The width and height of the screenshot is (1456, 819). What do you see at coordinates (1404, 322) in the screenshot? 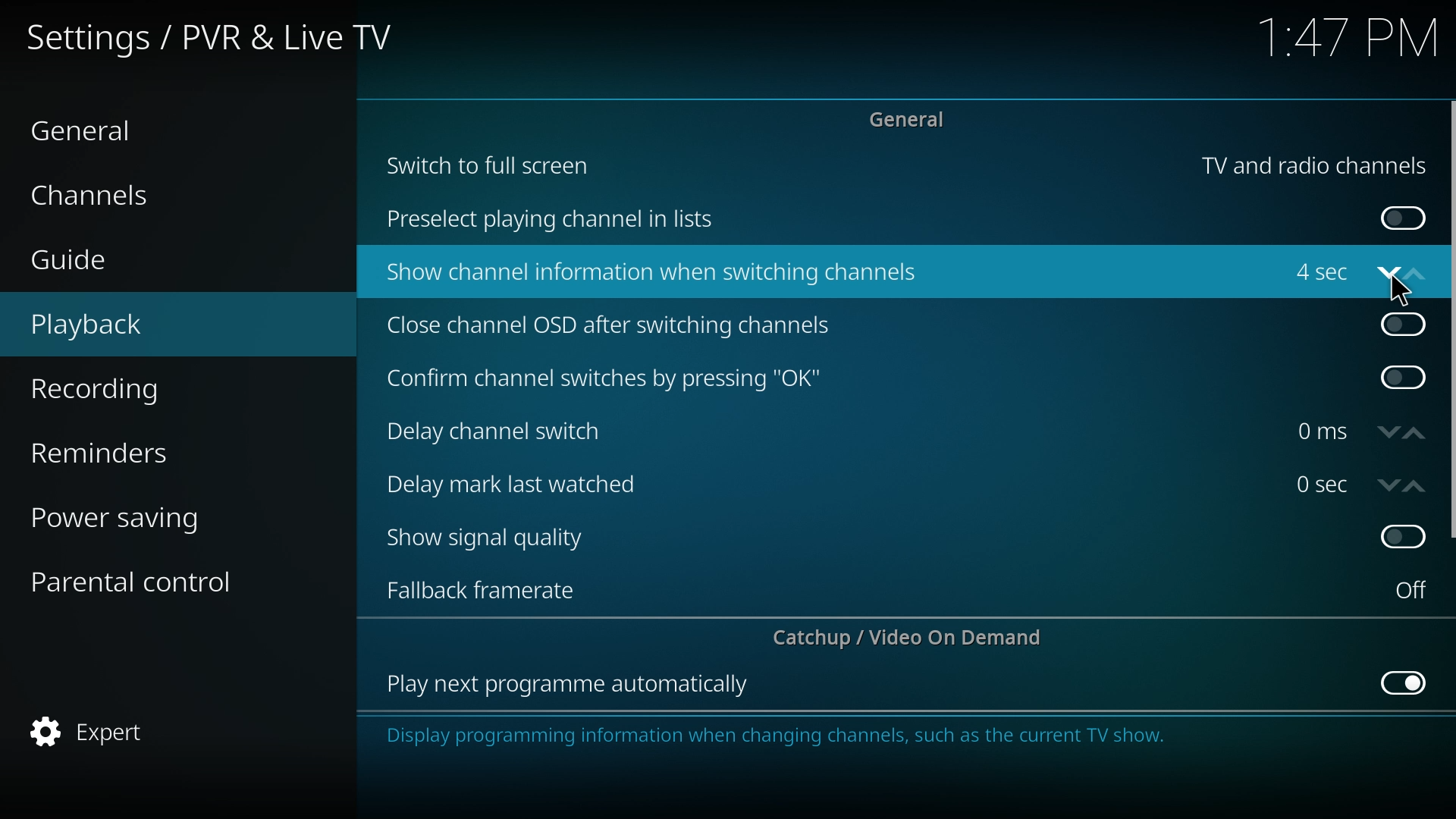
I see `off` at bounding box center [1404, 322].